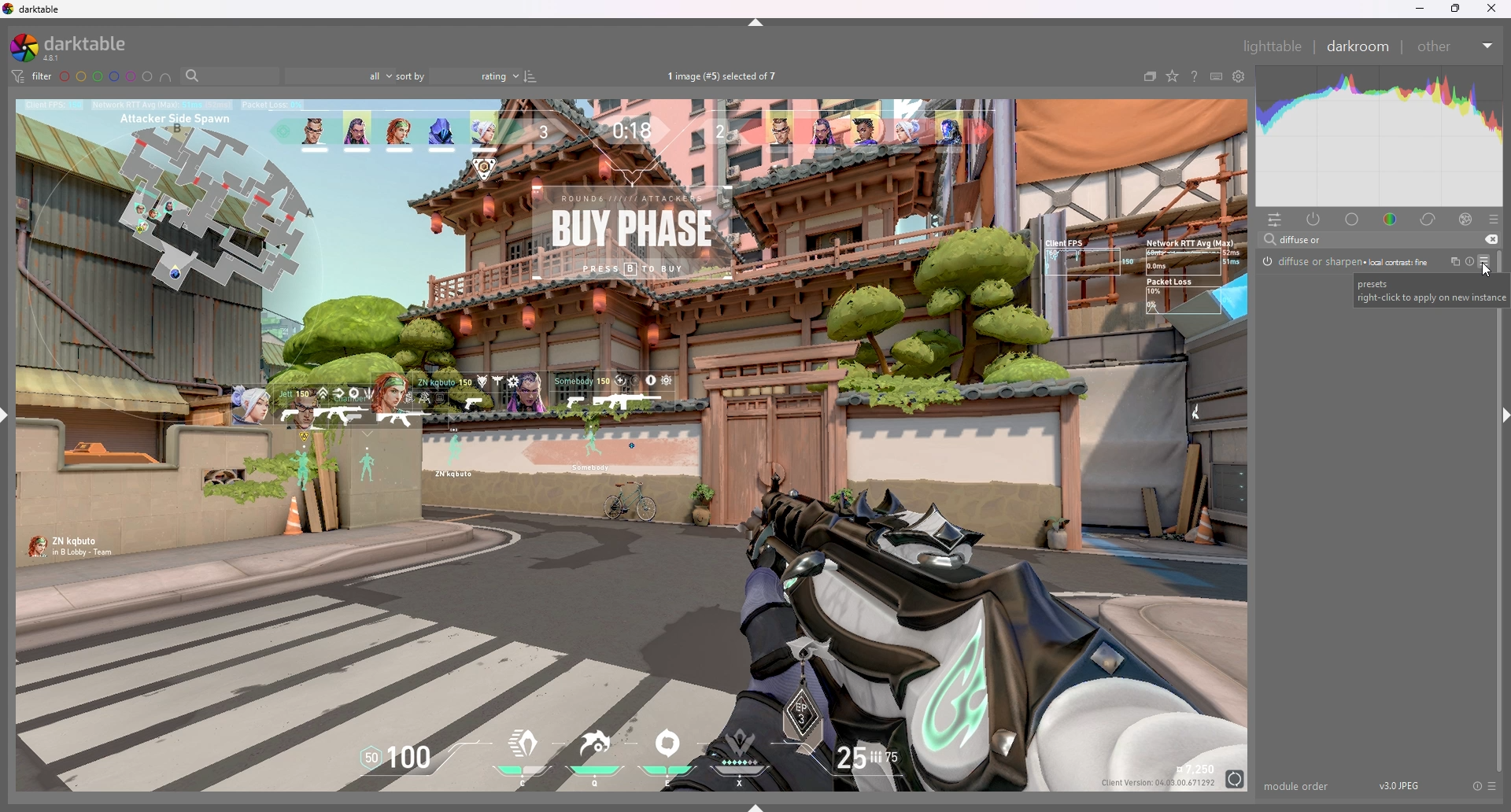  What do you see at coordinates (1494, 219) in the screenshot?
I see `presets` at bounding box center [1494, 219].